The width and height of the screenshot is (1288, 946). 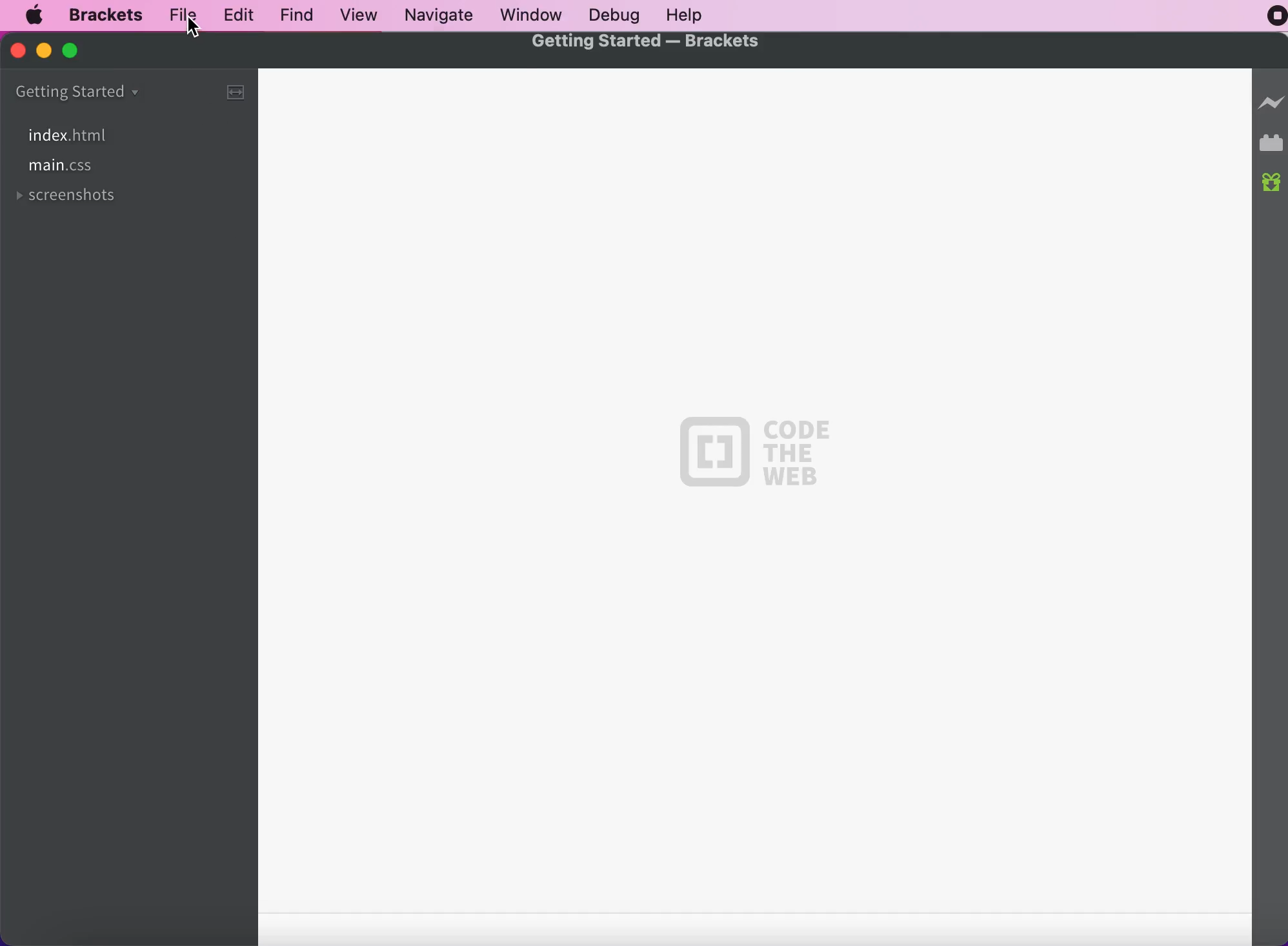 What do you see at coordinates (647, 45) in the screenshot?
I see `getting started - brackets` at bounding box center [647, 45].